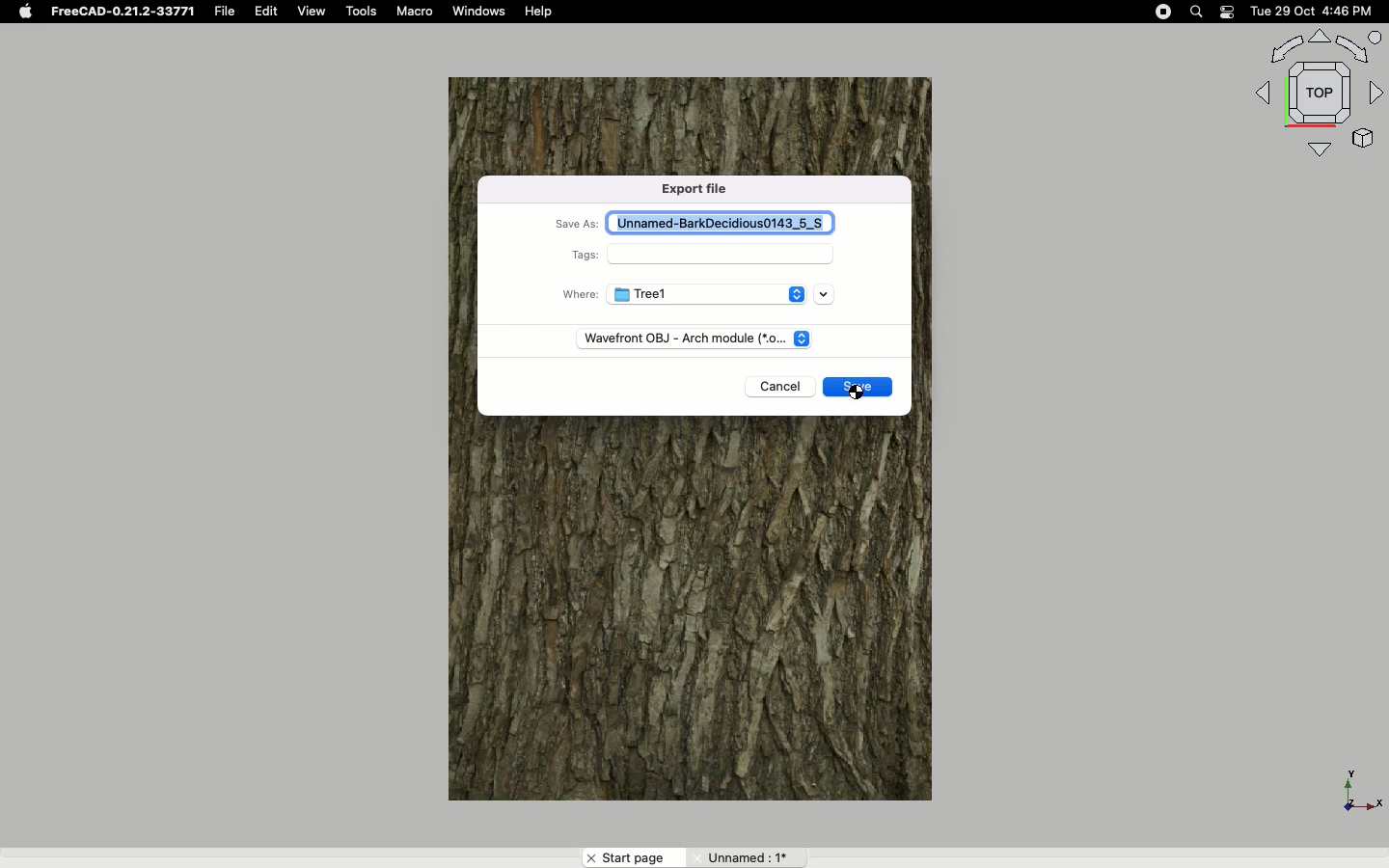  What do you see at coordinates (225, 12) in the screenshot?
I see `File` at bounding box center [225, 12].